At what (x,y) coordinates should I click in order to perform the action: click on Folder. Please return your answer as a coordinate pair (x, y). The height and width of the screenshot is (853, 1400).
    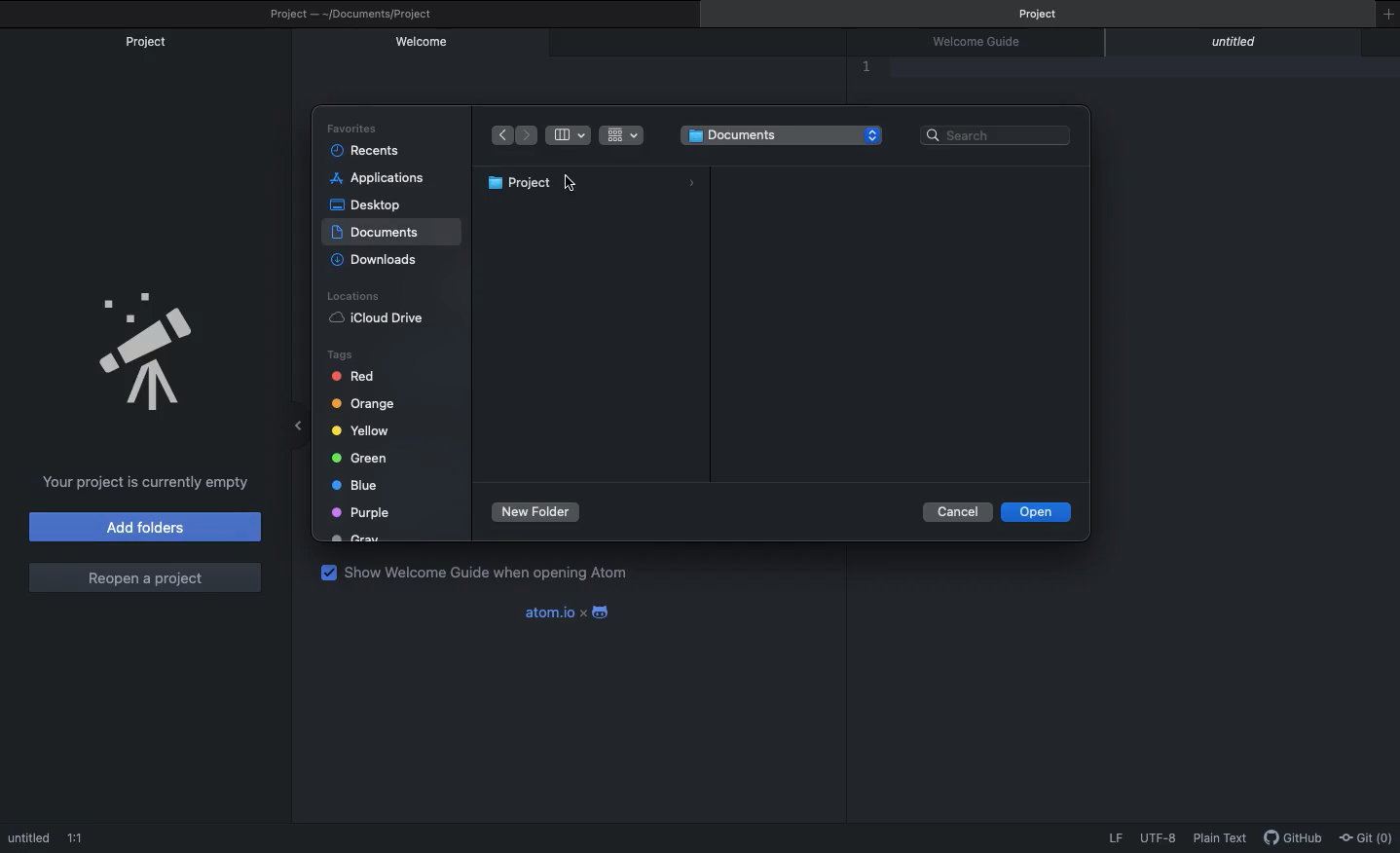
    Looking at the image, I should click on (786, 134).